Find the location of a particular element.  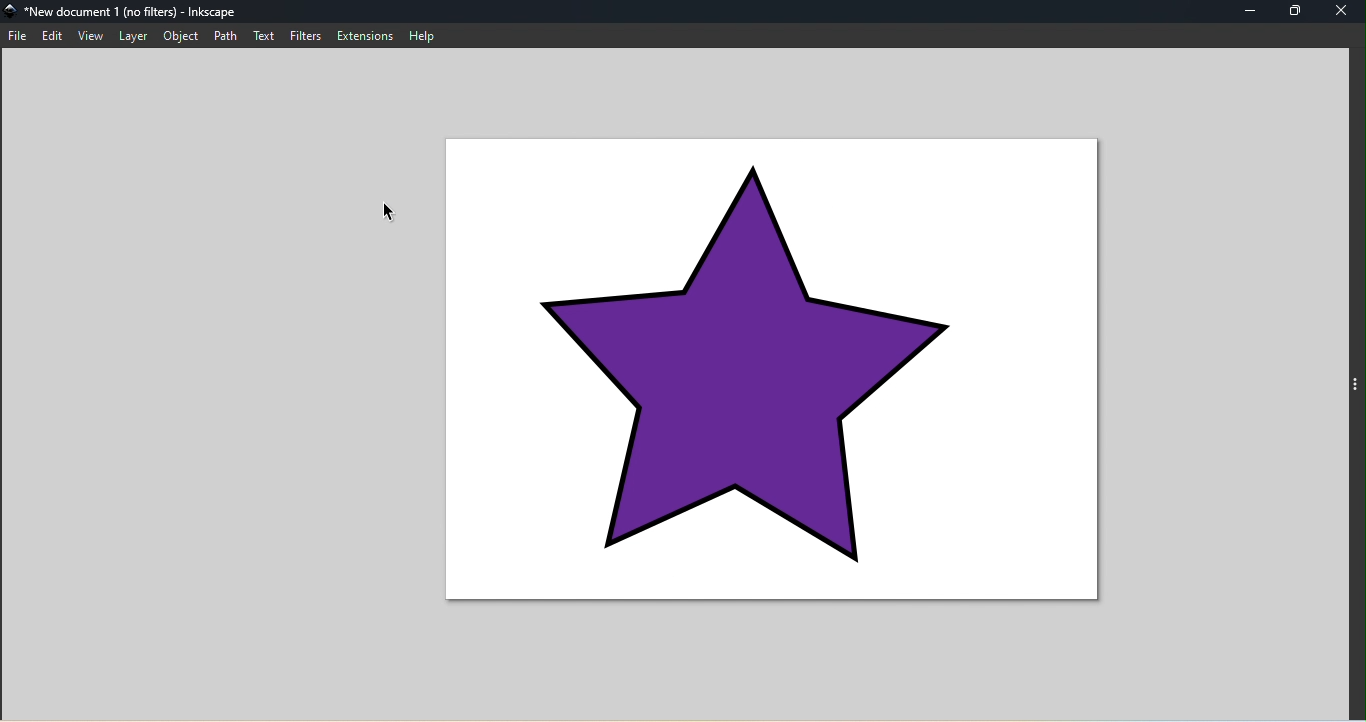

View is located at coordinates (87, 35).